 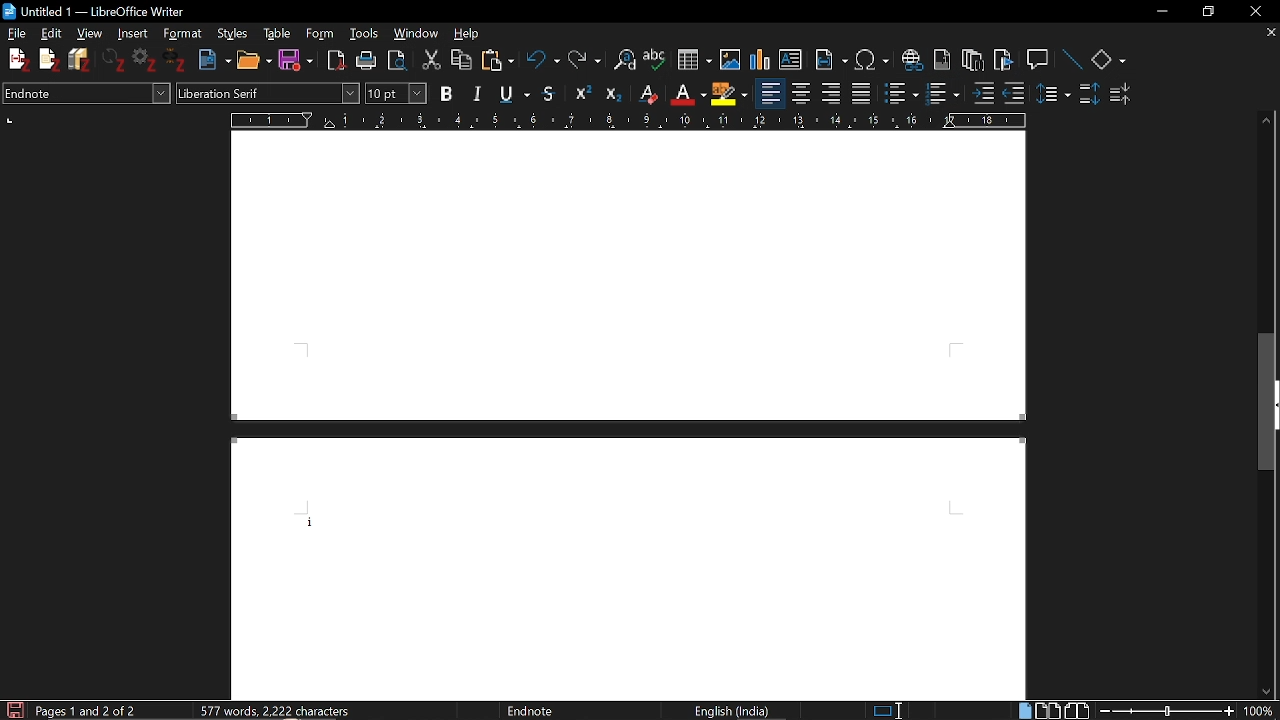 What do you see at coordinates (88, 710) in the screenshot?
I see `page 1 and 2 of 2` at bounding box center [88, 710].